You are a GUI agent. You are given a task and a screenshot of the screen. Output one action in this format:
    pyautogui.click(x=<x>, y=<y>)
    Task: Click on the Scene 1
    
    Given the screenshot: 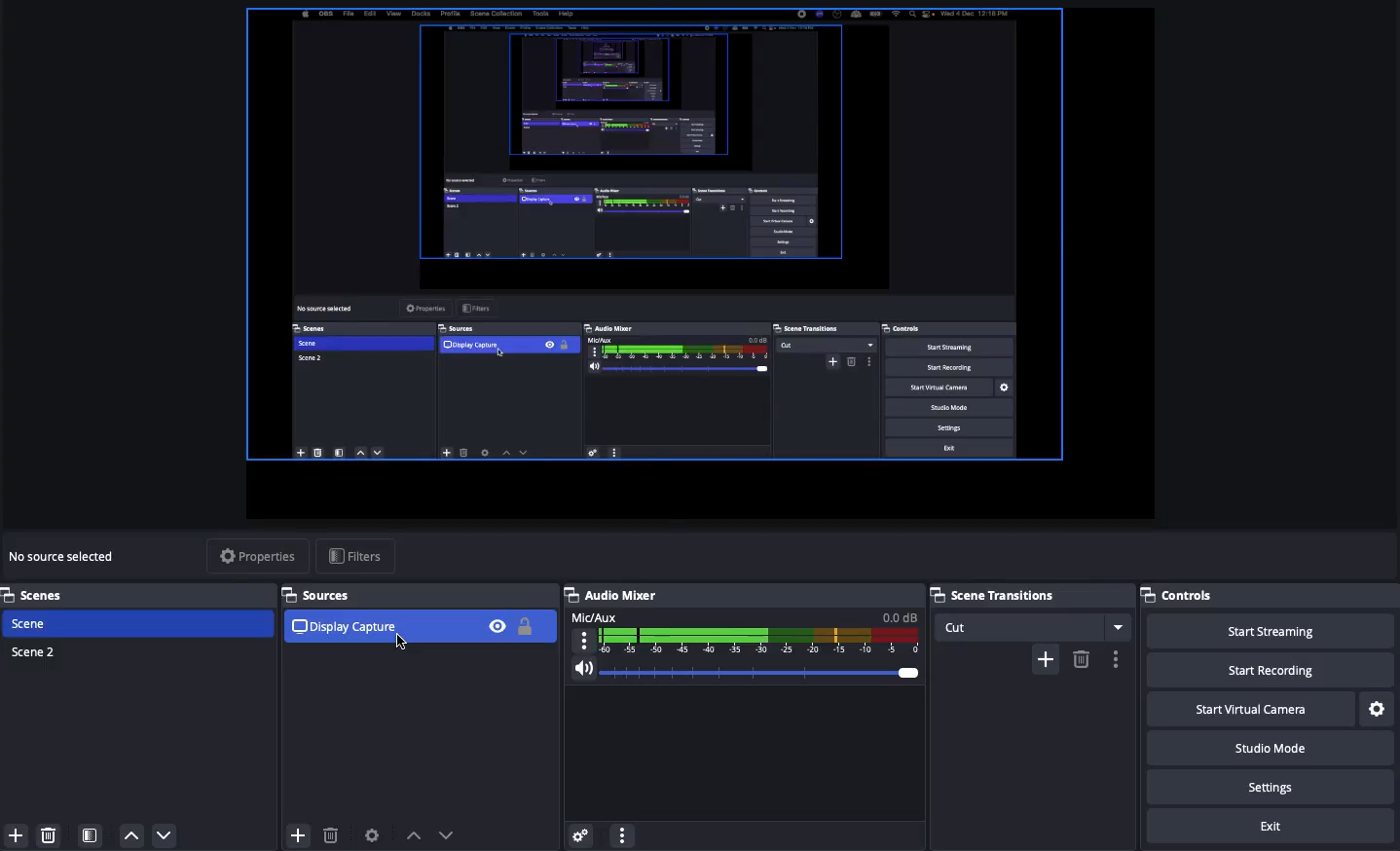 What is the action you would take?
    pyautogui.click(x=32, y=622)
    